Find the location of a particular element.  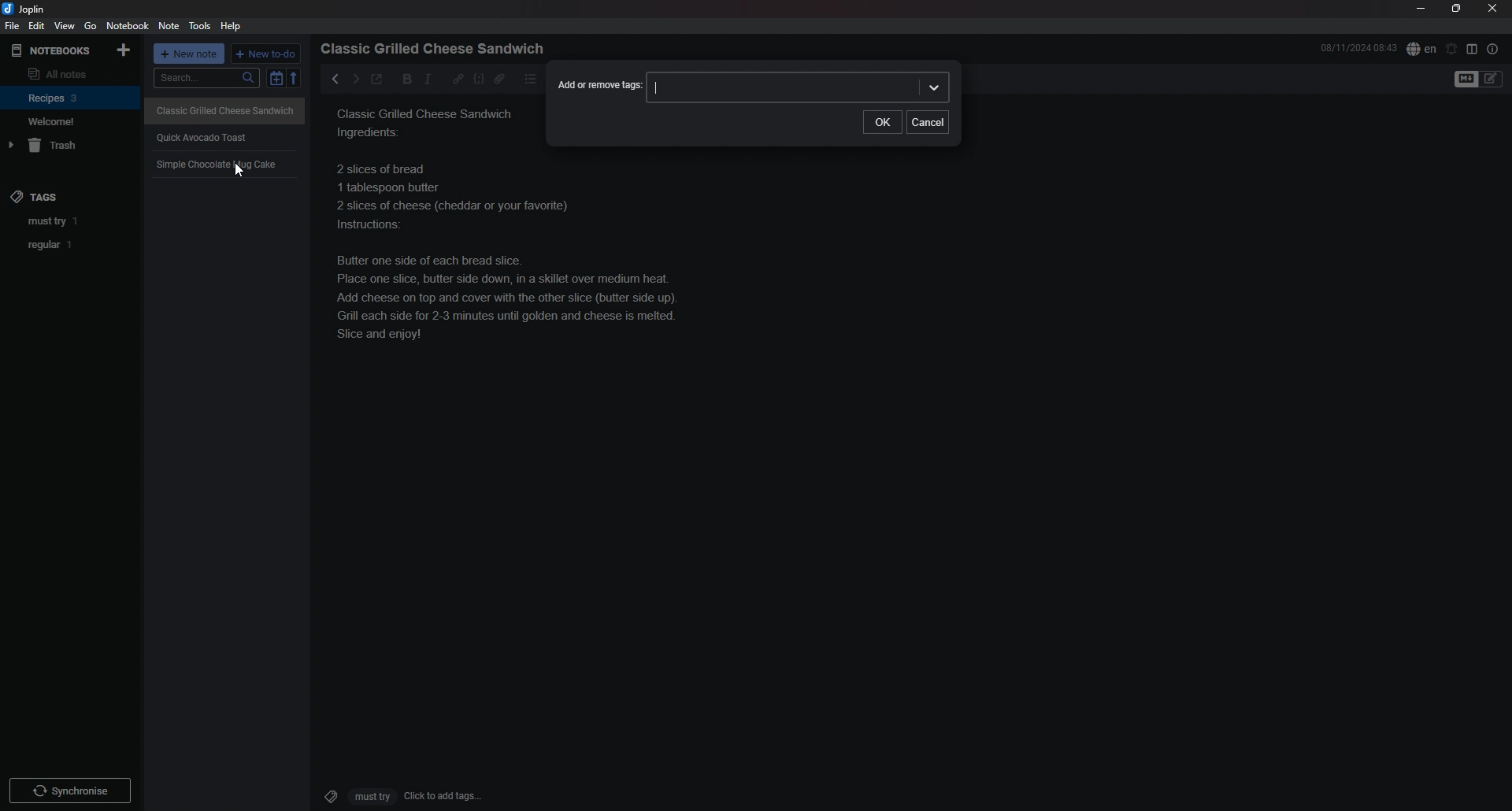

 is located at coordinates (70, 787).